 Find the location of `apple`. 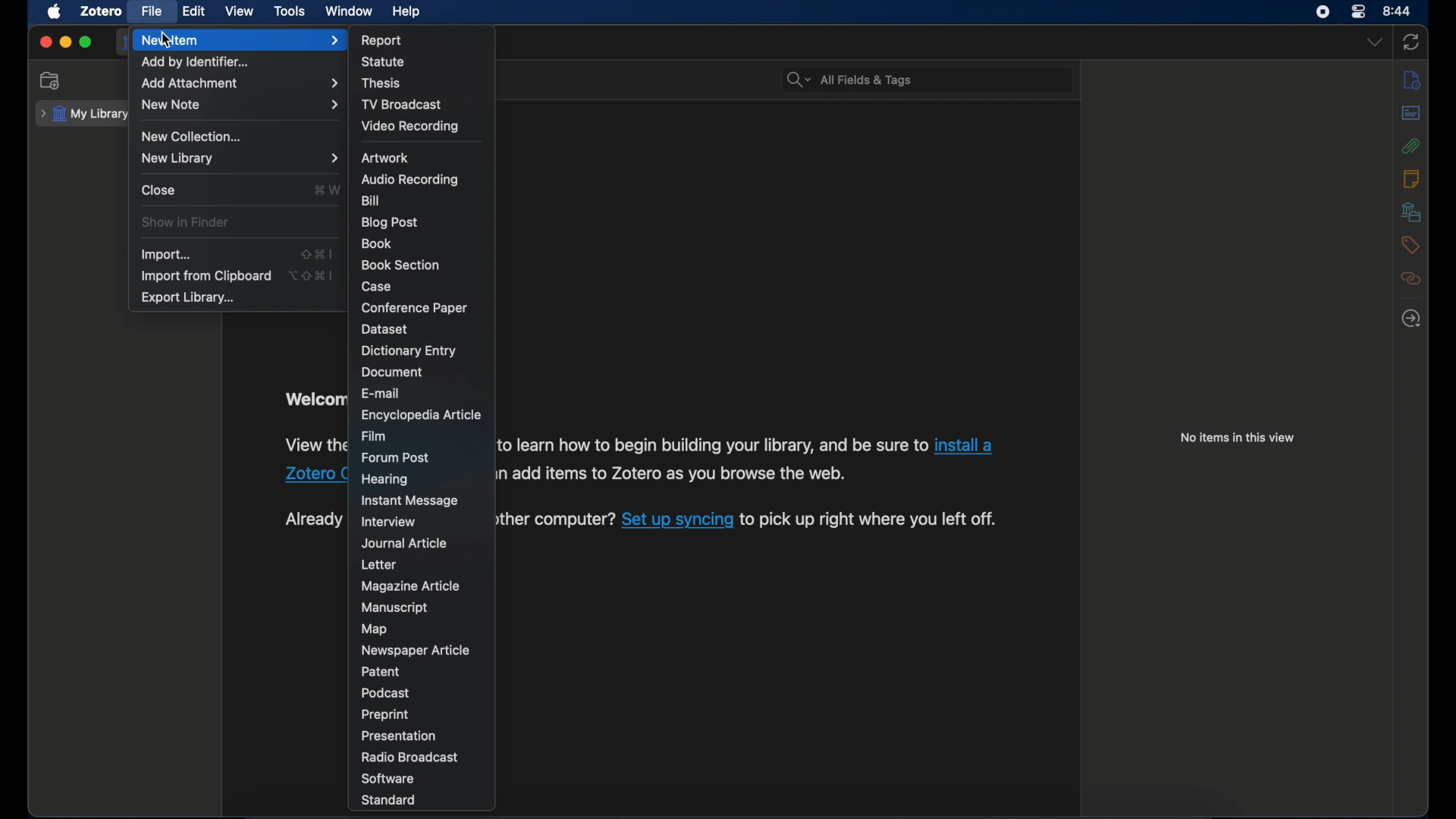

apple is located at coordinates (55, 12).